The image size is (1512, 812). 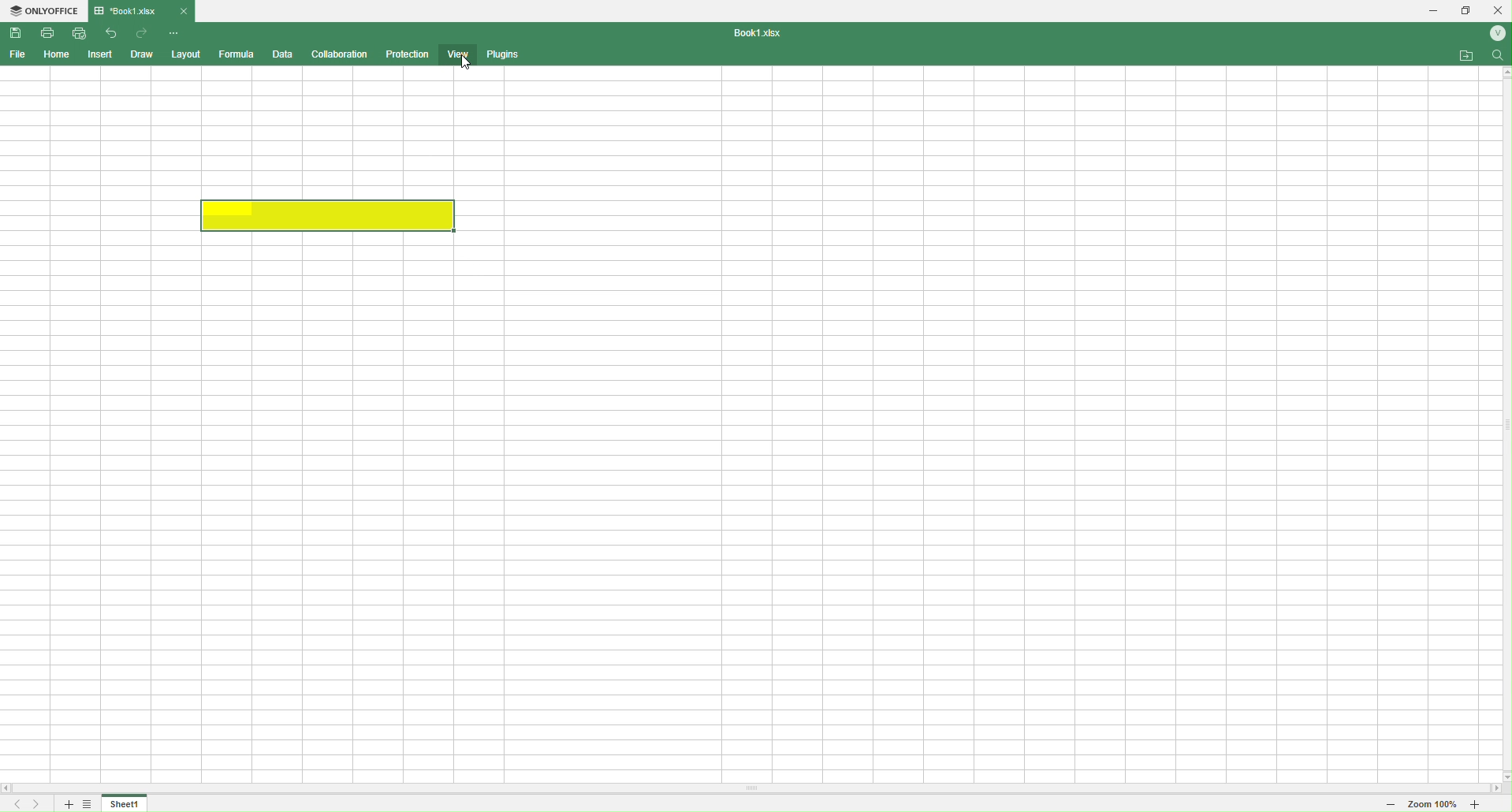 What do you see at coordinates (233, 55) in the screenshot?
I see `Formula` at bounding box center [233, 55].